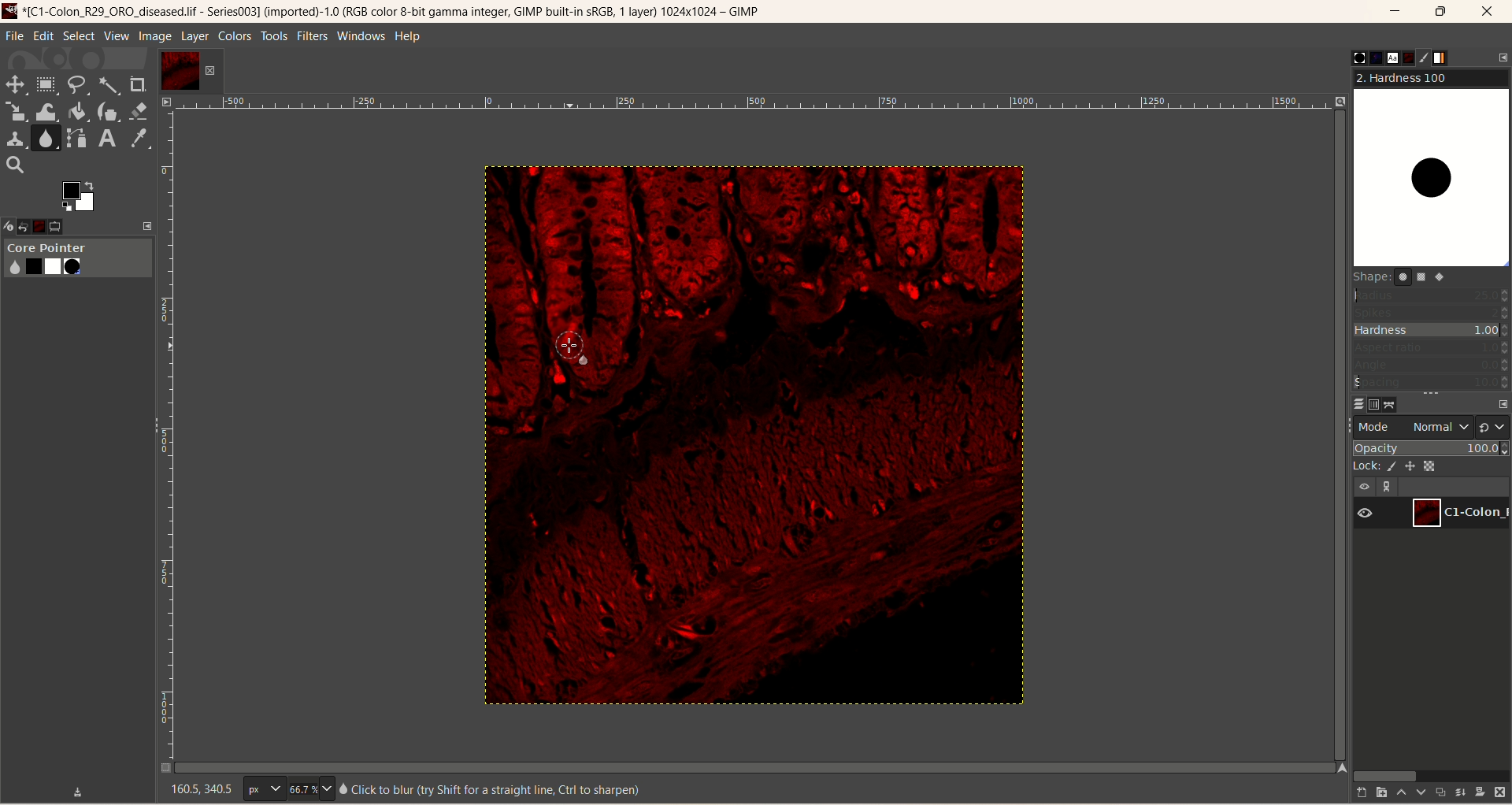  Describe the element at coordinates (1432, 383) in the screenshot. I see `spacing` at that location.